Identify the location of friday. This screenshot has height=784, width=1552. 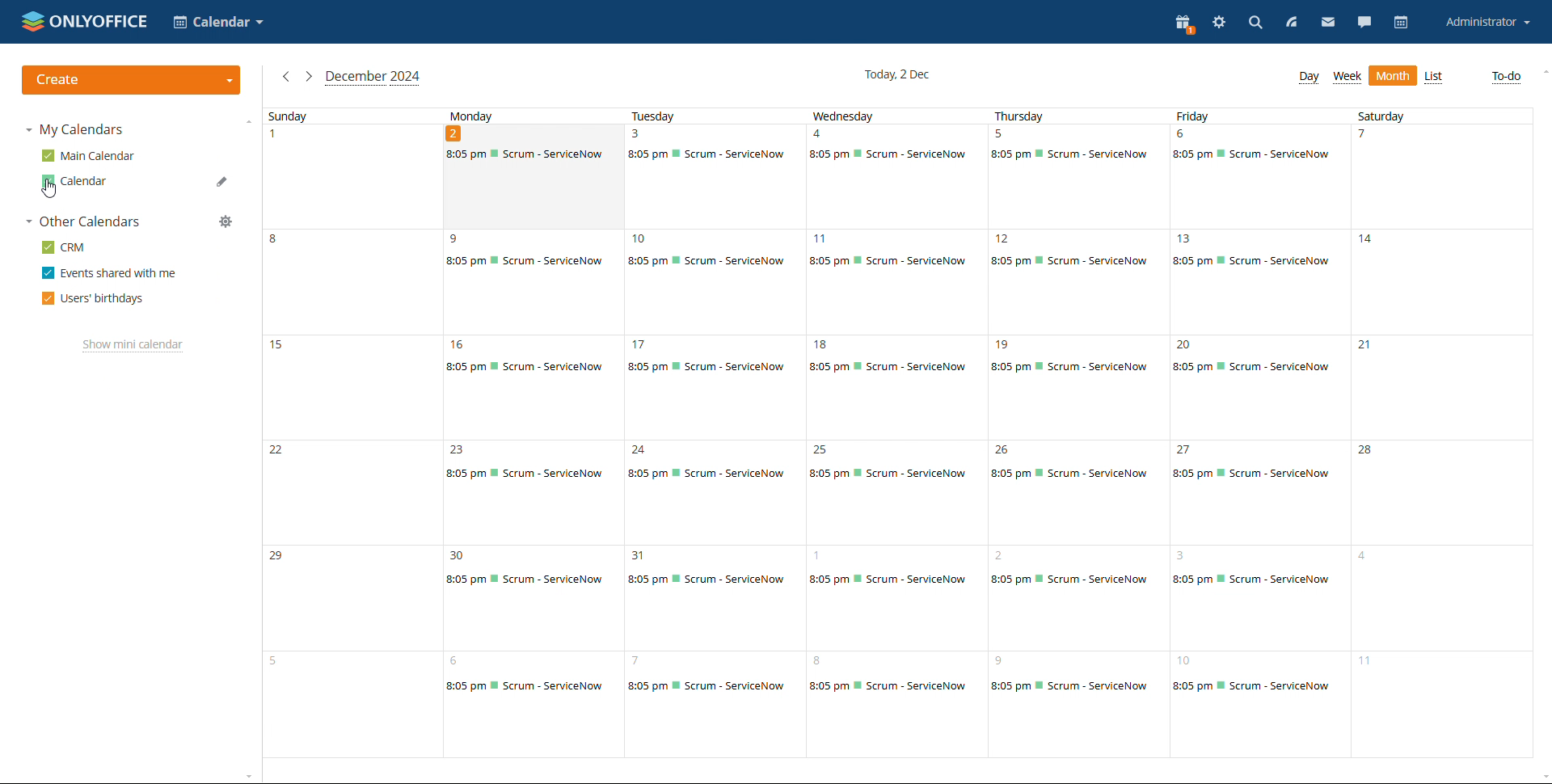
(1263, 432).